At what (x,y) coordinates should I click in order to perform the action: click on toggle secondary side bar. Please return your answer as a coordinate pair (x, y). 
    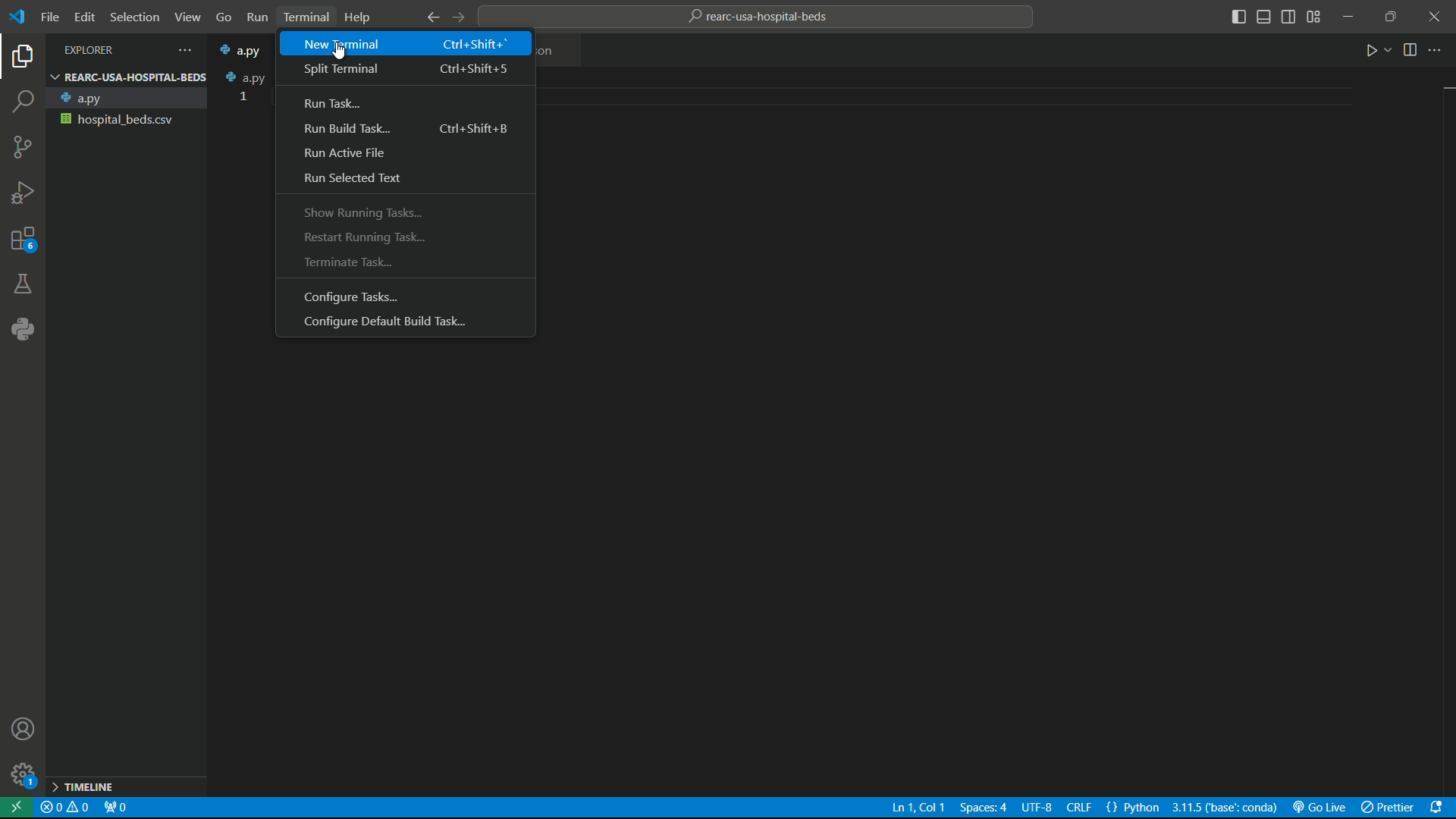
    Looking at the image, I should click on (1289, 17).